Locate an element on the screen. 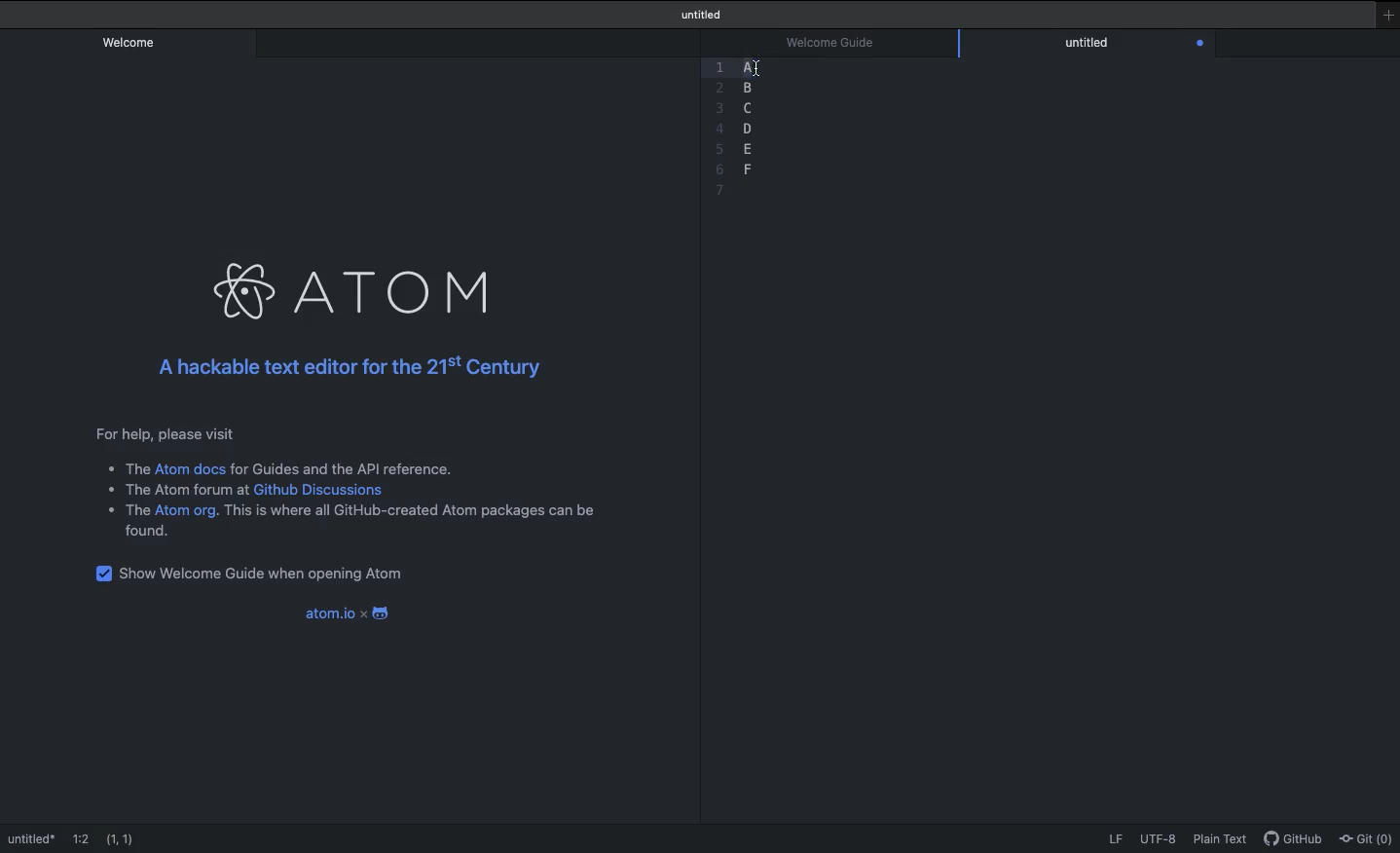 The width and height of the screenshot is (1400, 853). 7 is located at coordinates (718, 191).